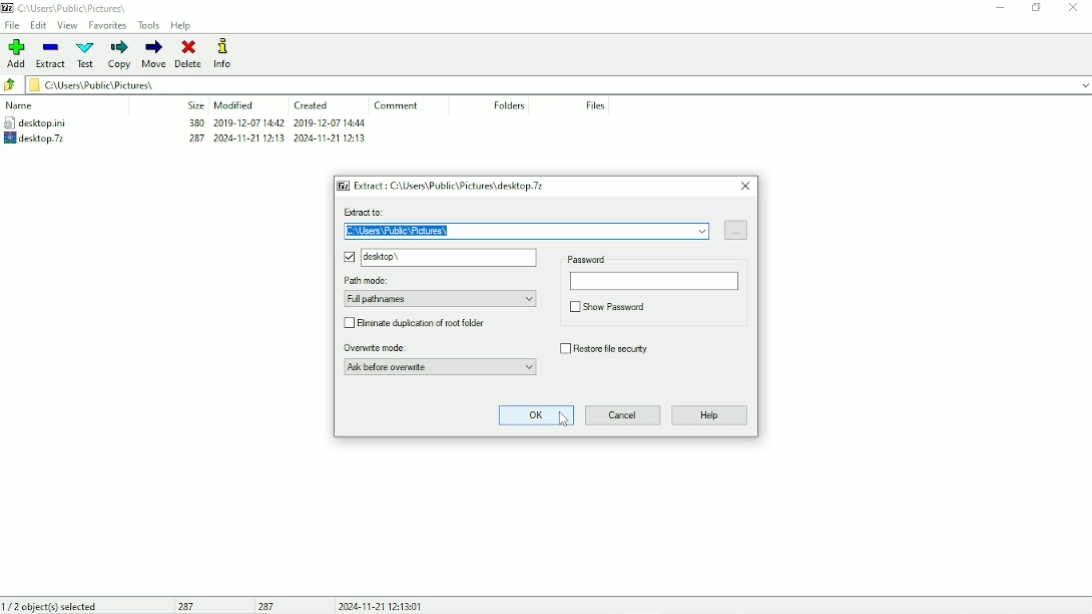 Image resolution: width=1092 pixels, height=614 pixels. I want to click on Browse, so click(735, 229).